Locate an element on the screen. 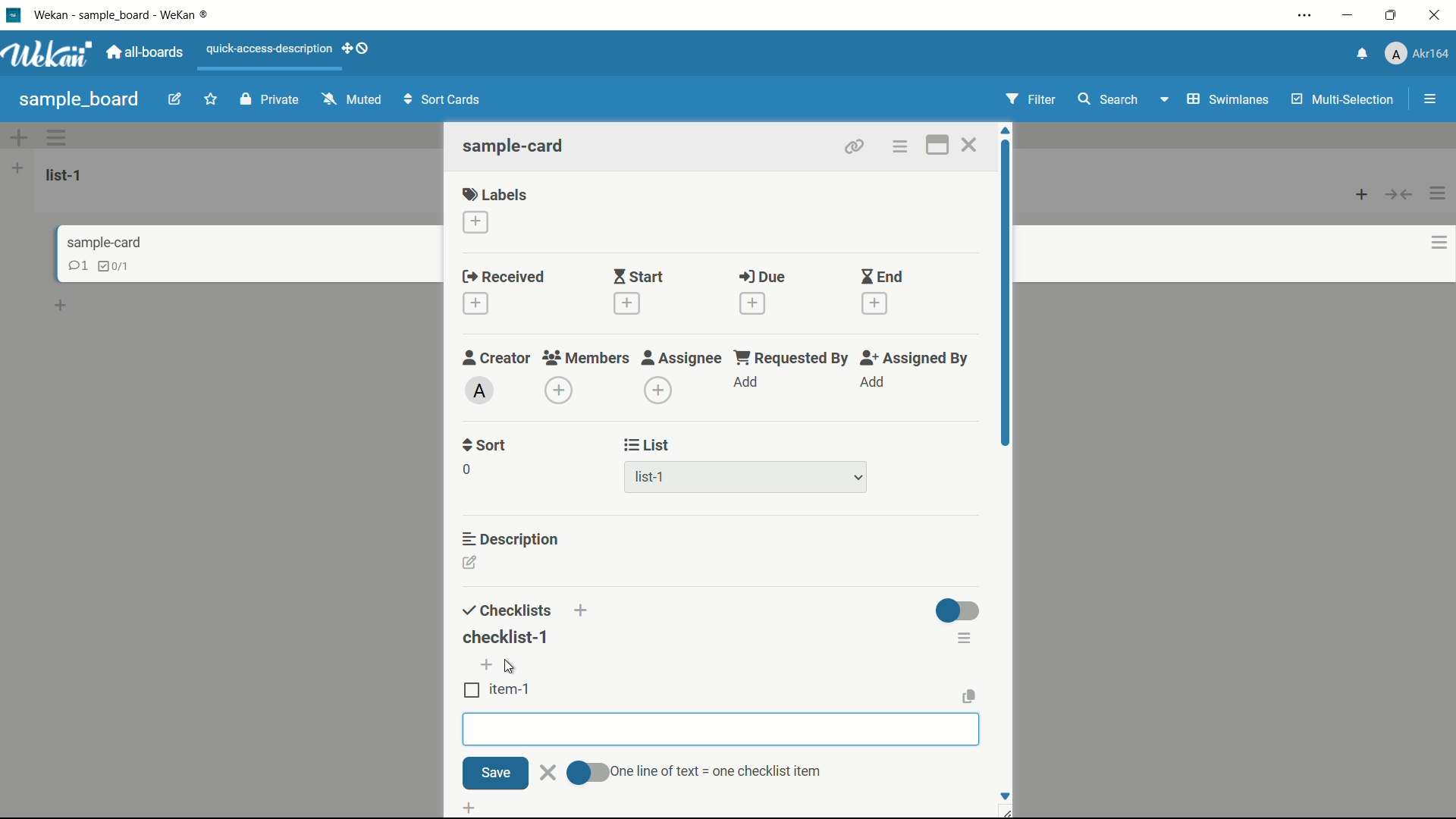 The width and height of the screenshot is (1456, 819). assigned by is located at coordinates (913, 359).